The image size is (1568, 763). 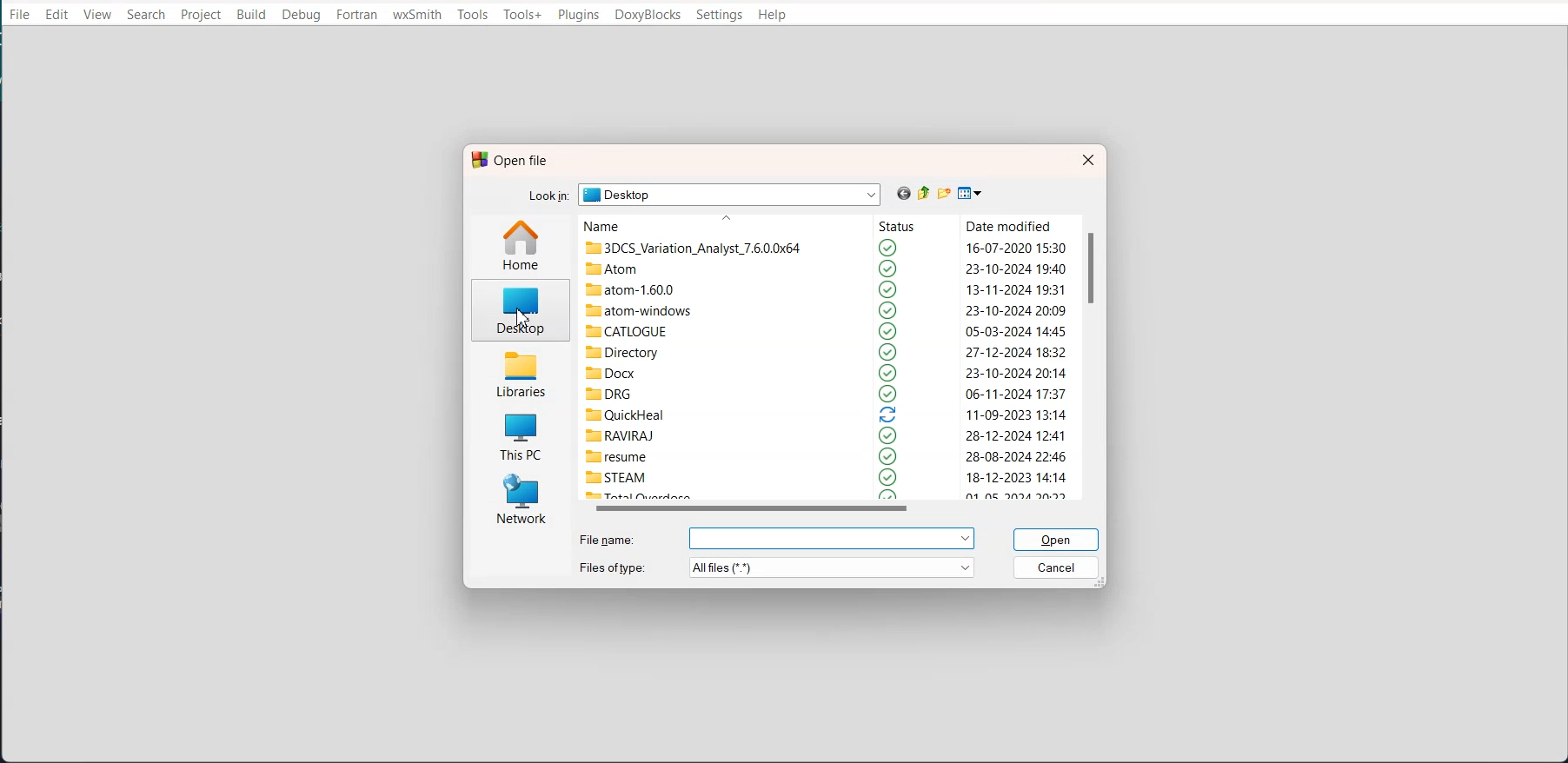 What do you see at coordinates (1092, 356) in the screenshot?
I see `Vertical scroll bar` at bounding box center [1092, 356].